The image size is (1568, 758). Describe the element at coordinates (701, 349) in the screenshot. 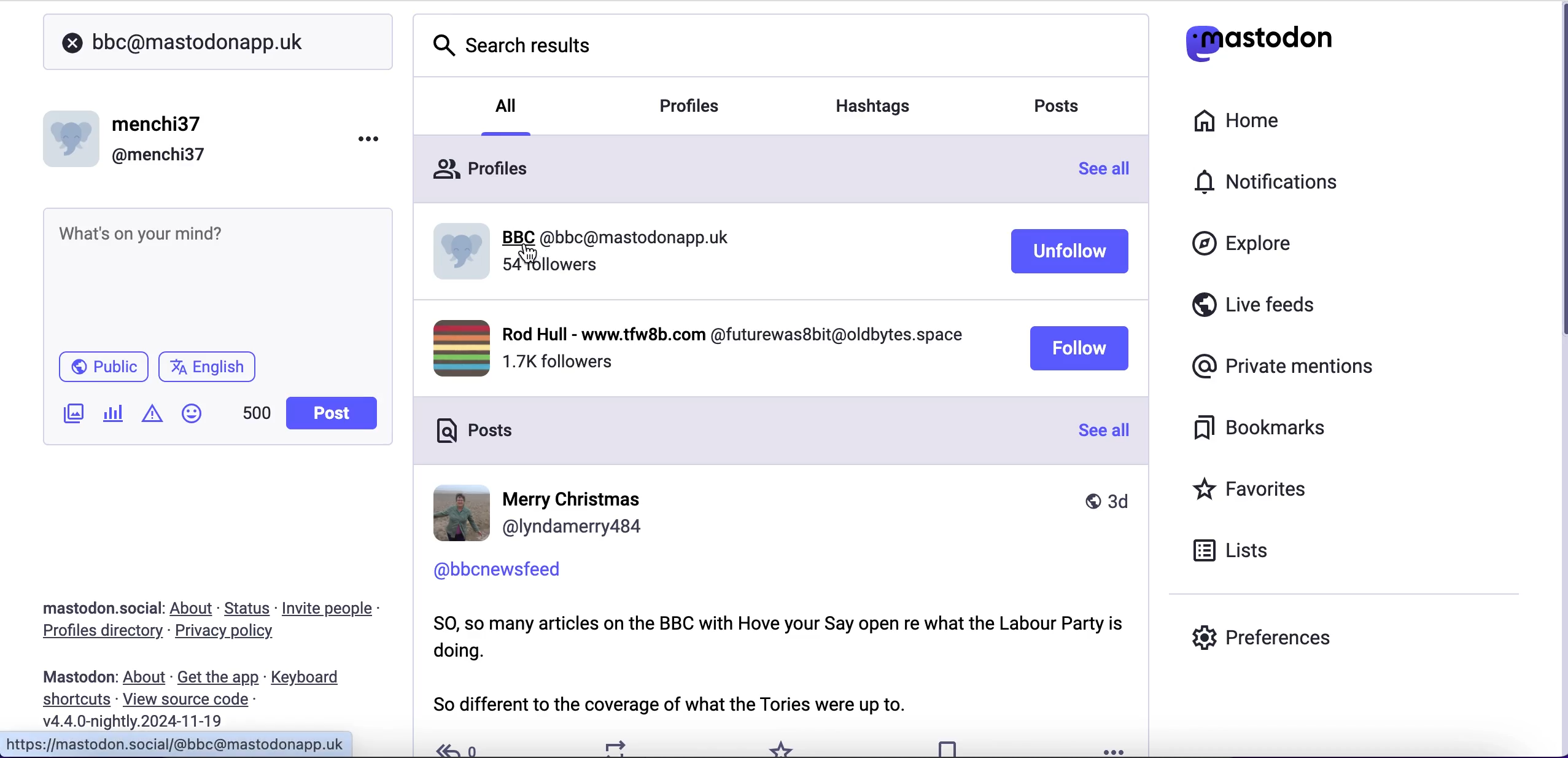

I see `profile` at that location.